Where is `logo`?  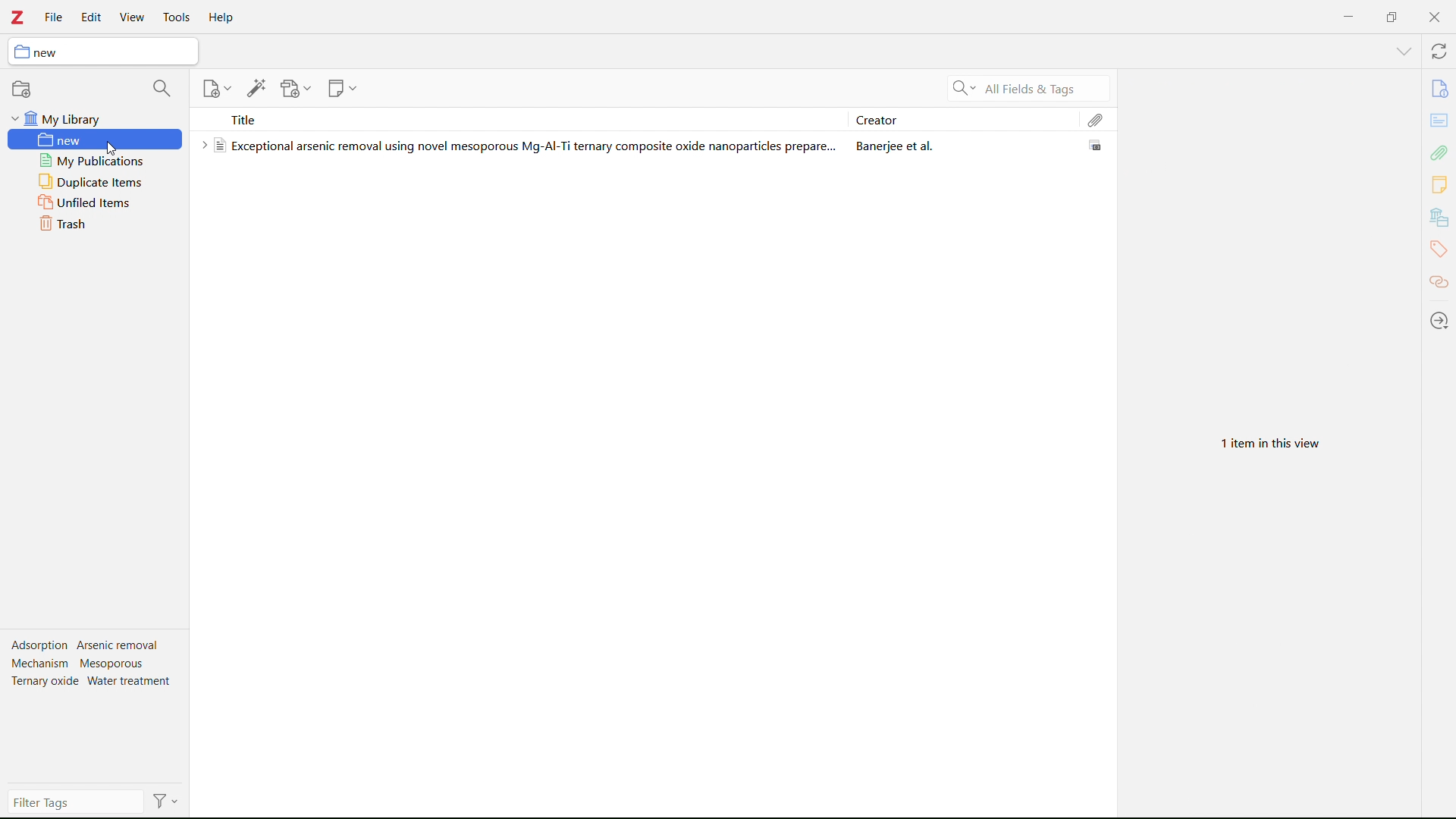 logo is located at coordinates (17, 17).